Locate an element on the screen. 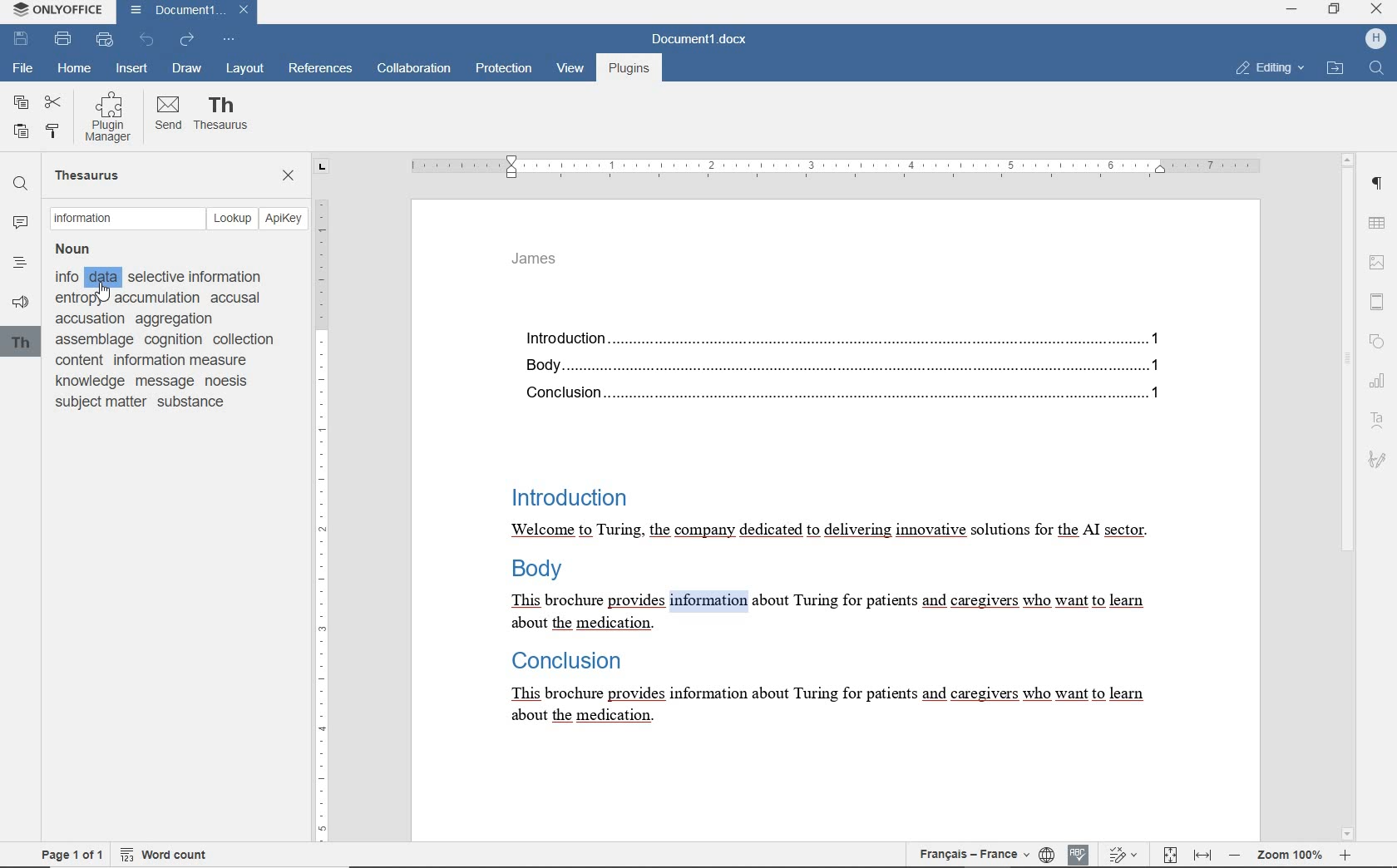 This screenshot has width=1397, height=868. TEXT ART is located at coordinates (1379, 418).